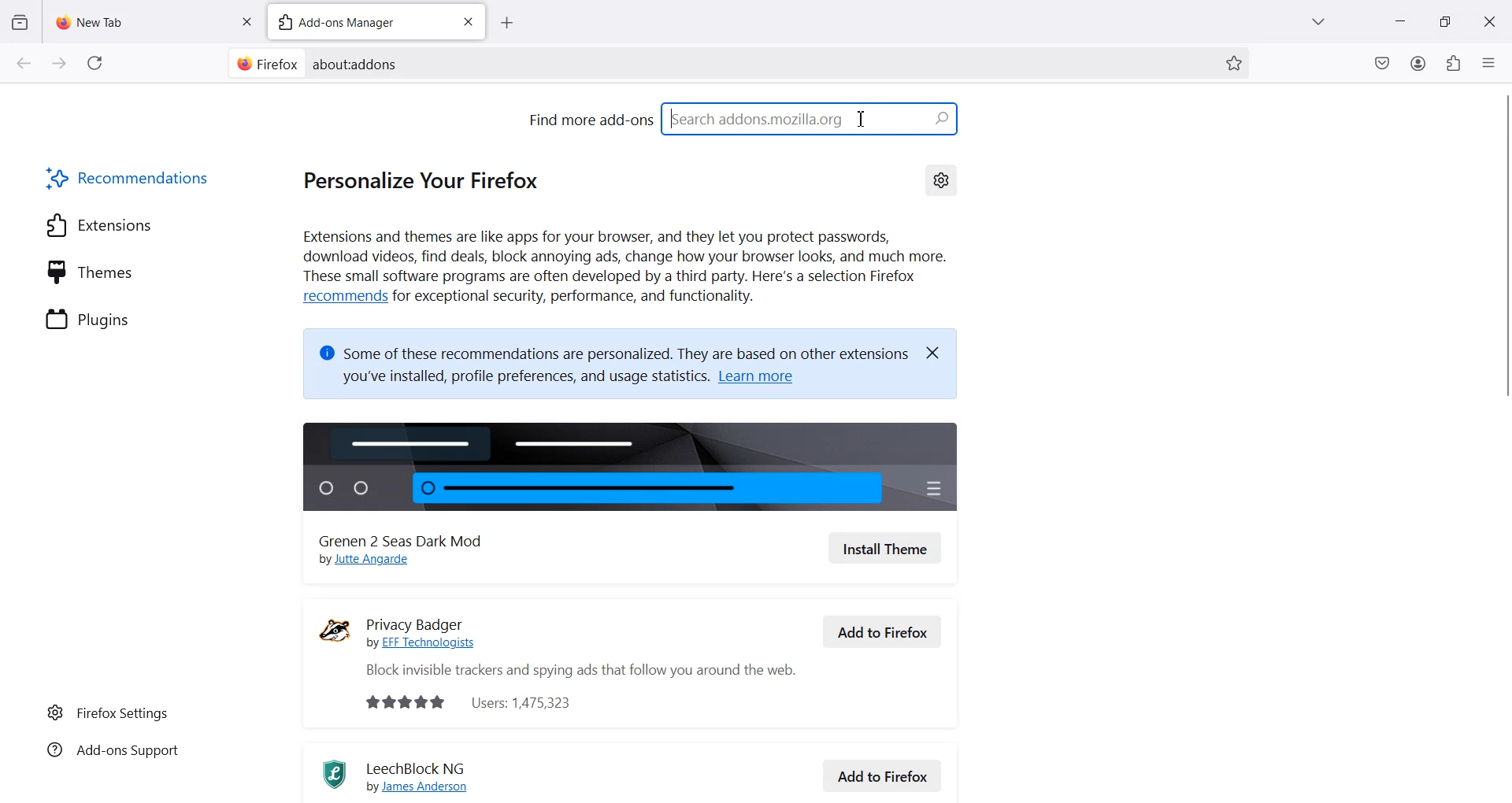 The height and width of the screenshot is (803, 1512). I want to click on Install Theme, so click(885, 548).